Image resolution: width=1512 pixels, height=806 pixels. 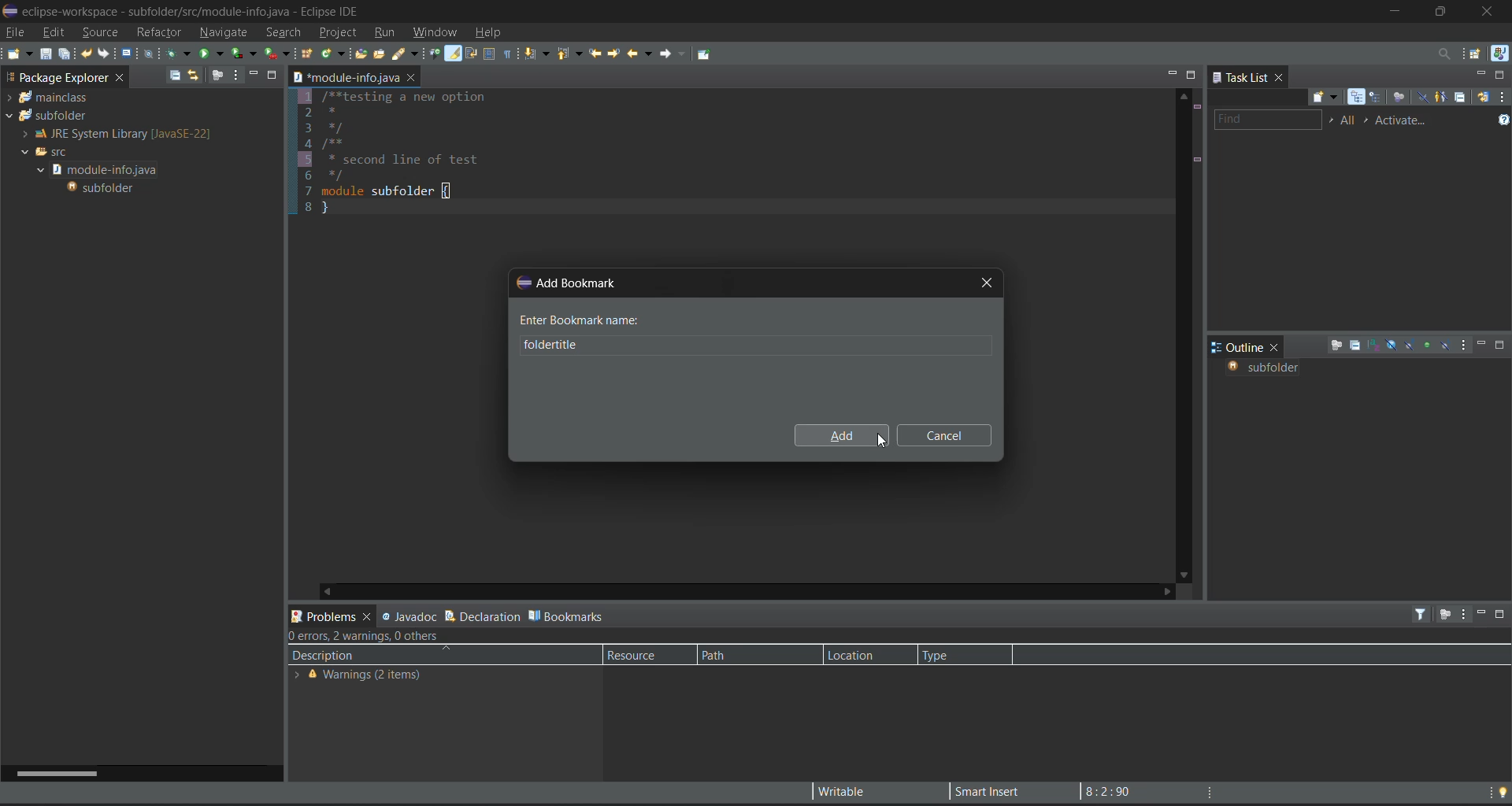 What do you see at coordinates (57, 79) in the screenshot?
I see `Project Explorer` at bounding box center [57, 79].